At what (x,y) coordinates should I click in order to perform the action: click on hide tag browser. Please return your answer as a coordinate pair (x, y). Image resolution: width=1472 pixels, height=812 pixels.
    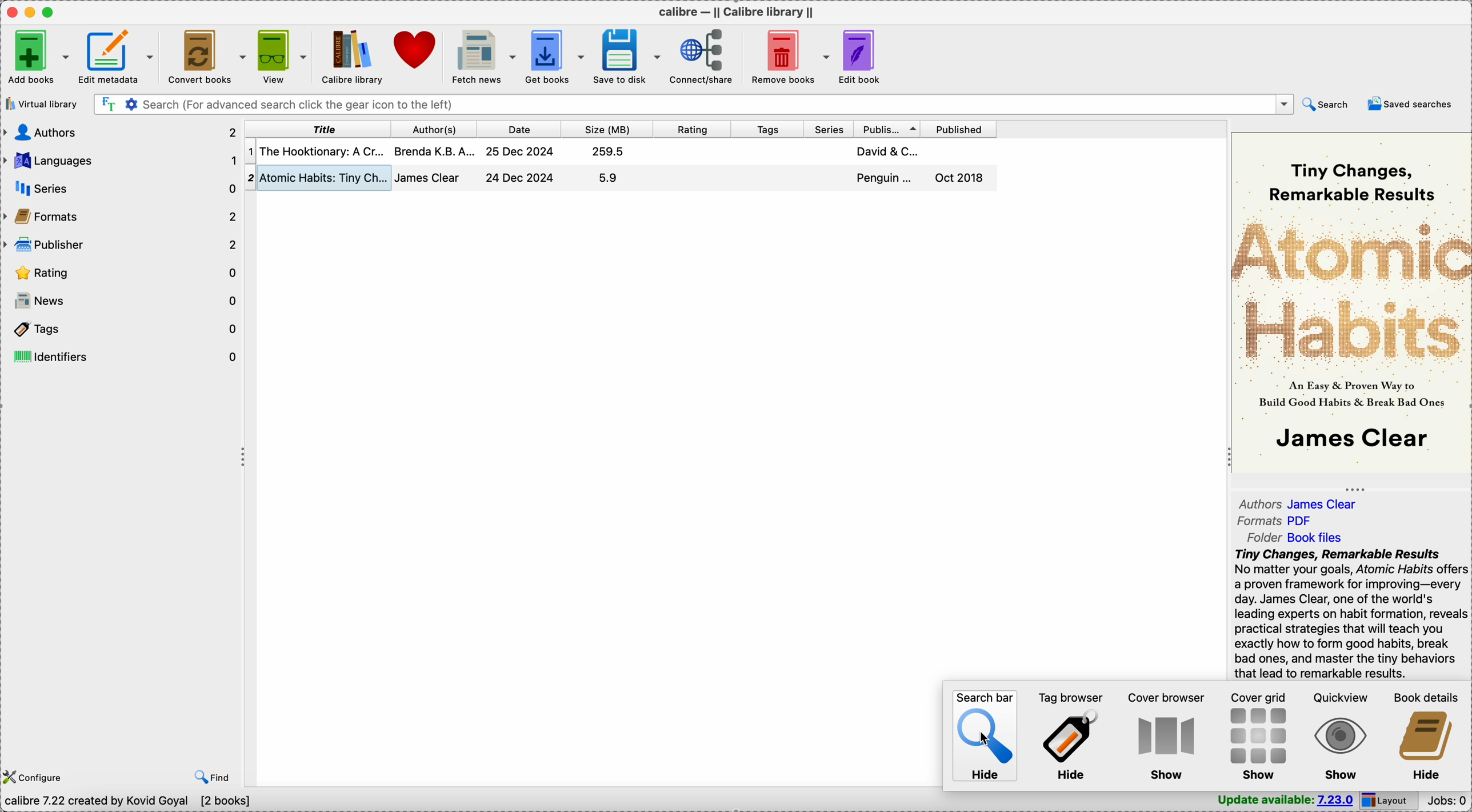
    Looking at the image, I should click on (1070, 735).